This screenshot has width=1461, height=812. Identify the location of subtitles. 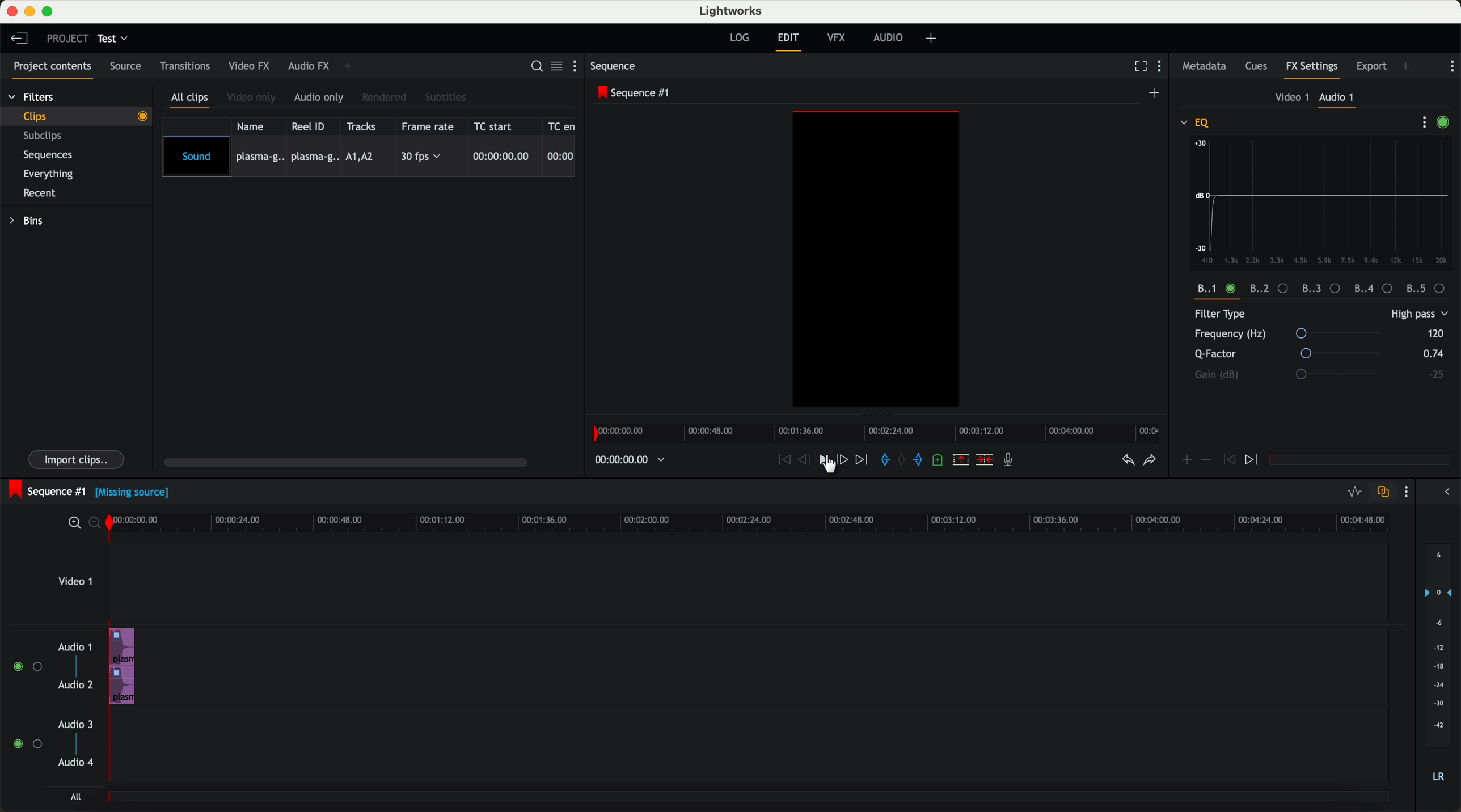
(447, 97).